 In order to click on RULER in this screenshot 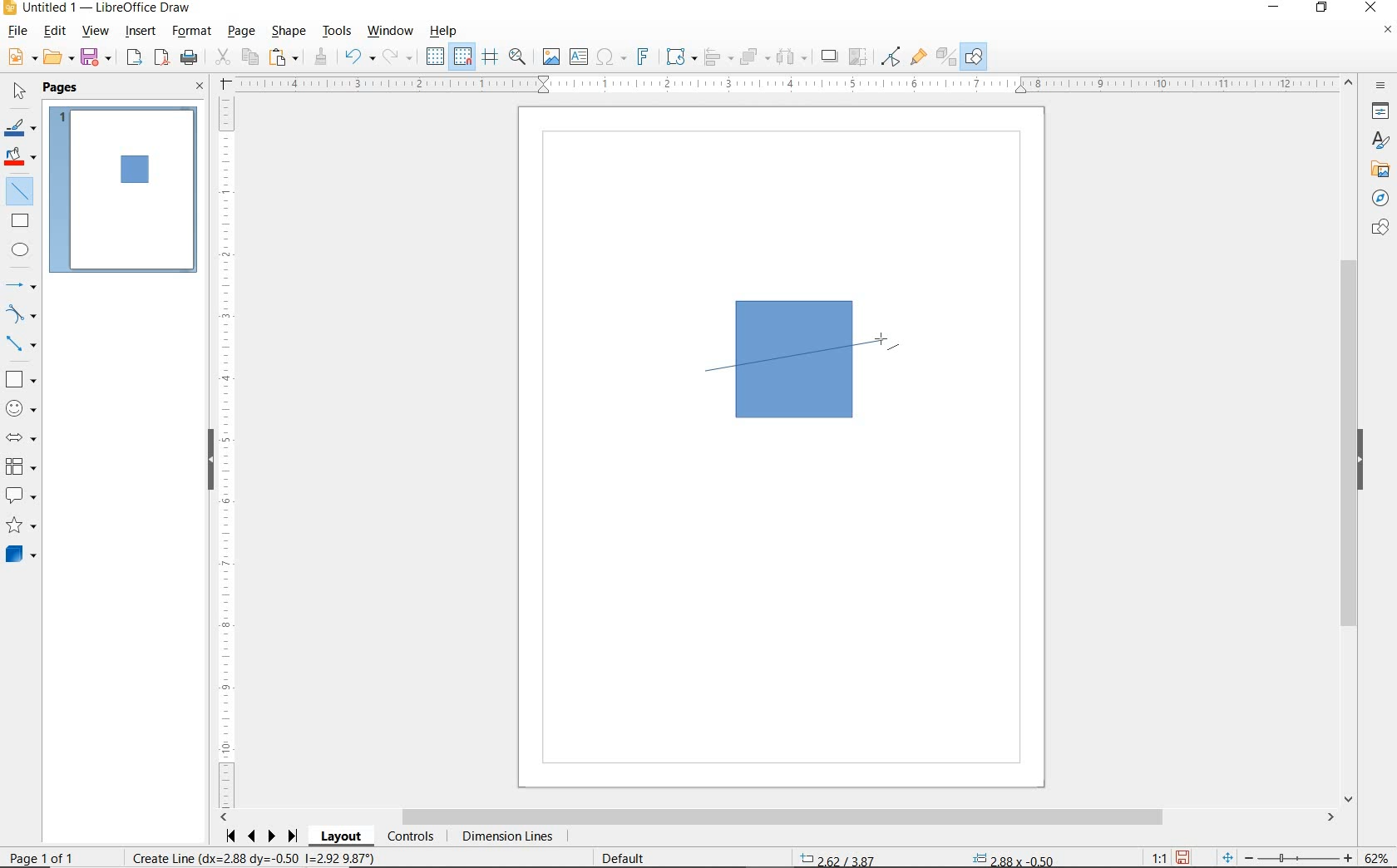, I will do `click(227, 452)`.